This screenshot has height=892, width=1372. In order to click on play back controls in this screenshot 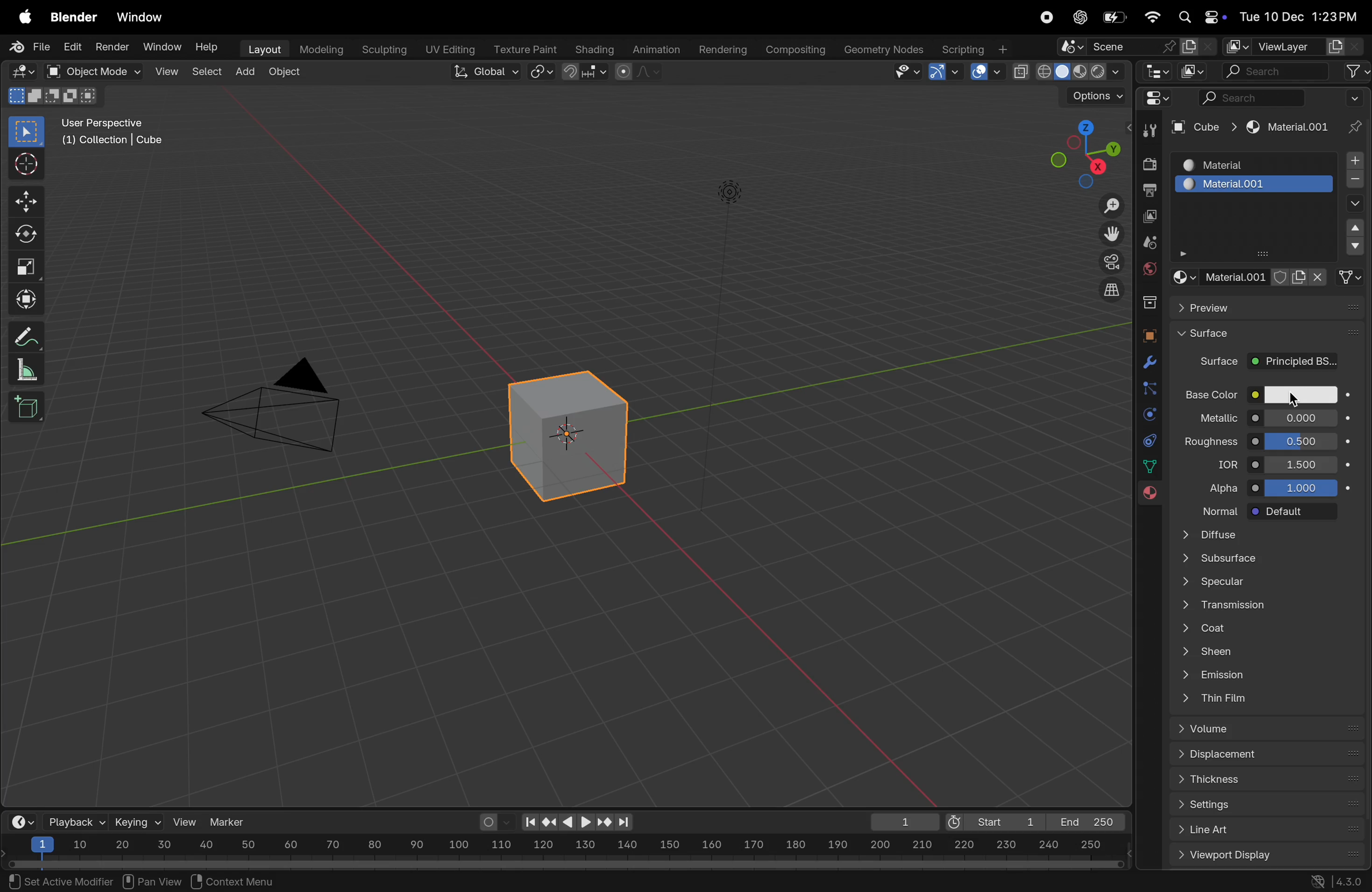, I will do `click(578, 823)`.